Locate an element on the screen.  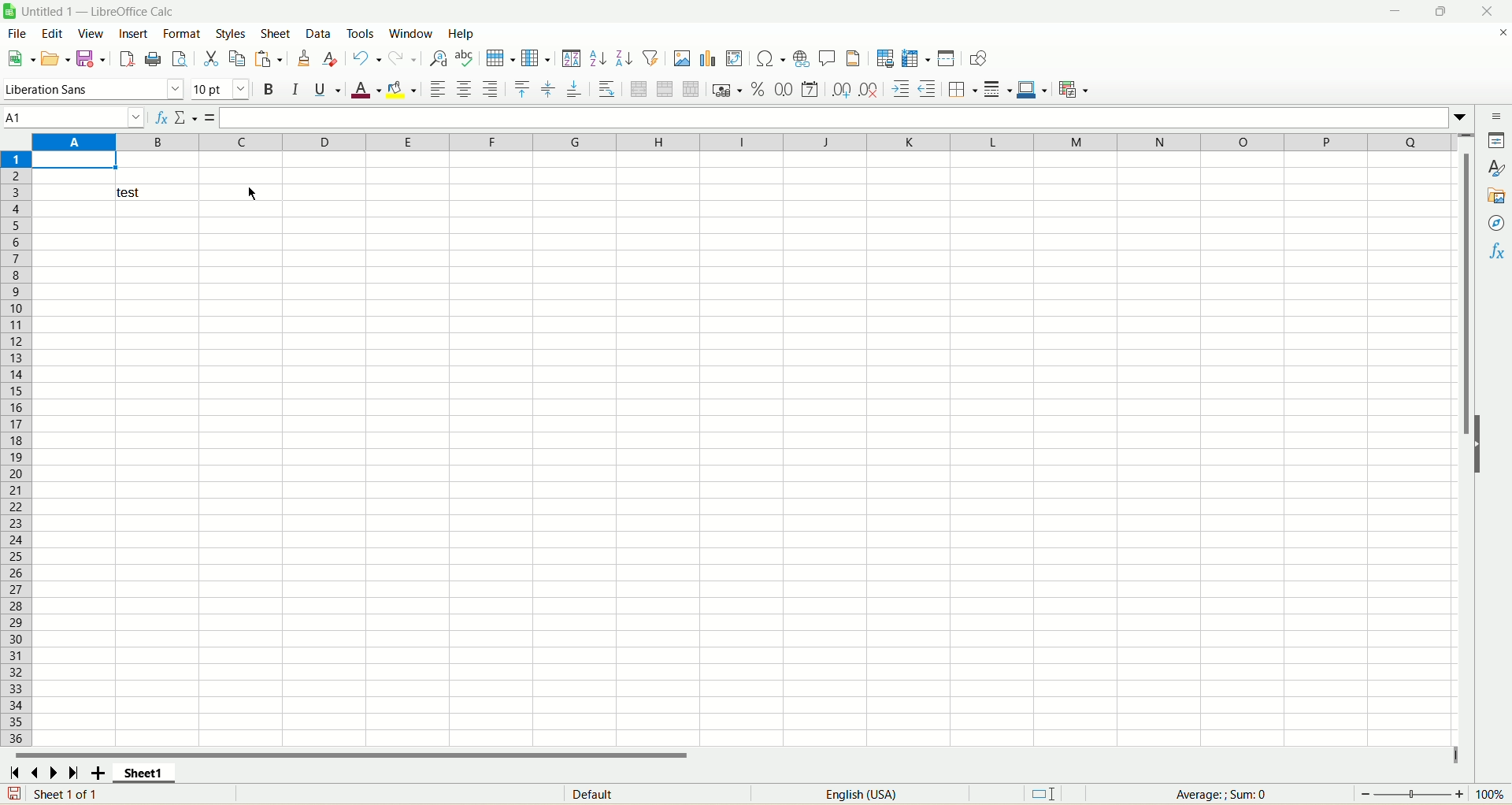
underline is located at coordinates (328, 89).